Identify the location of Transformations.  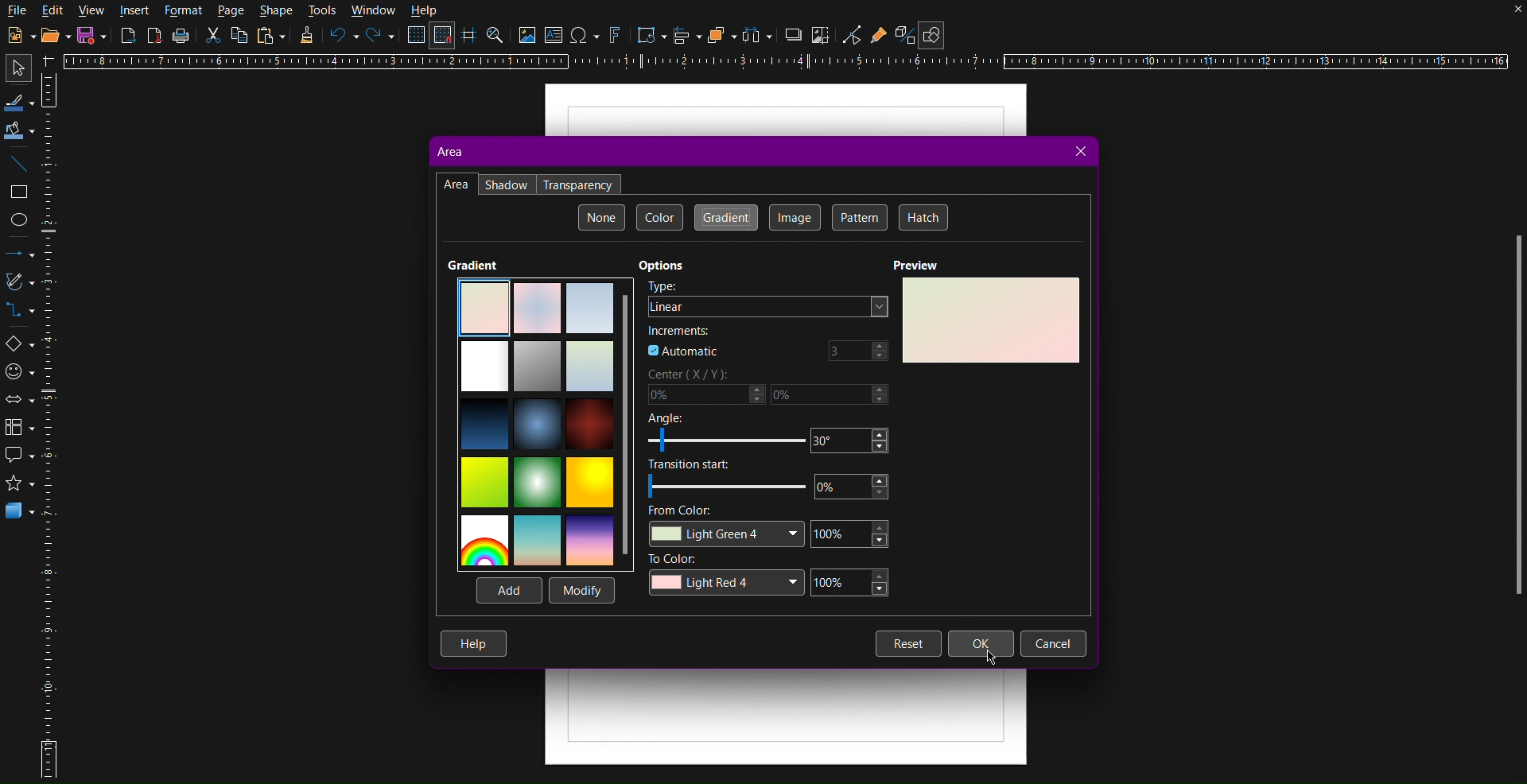
(648, 35).